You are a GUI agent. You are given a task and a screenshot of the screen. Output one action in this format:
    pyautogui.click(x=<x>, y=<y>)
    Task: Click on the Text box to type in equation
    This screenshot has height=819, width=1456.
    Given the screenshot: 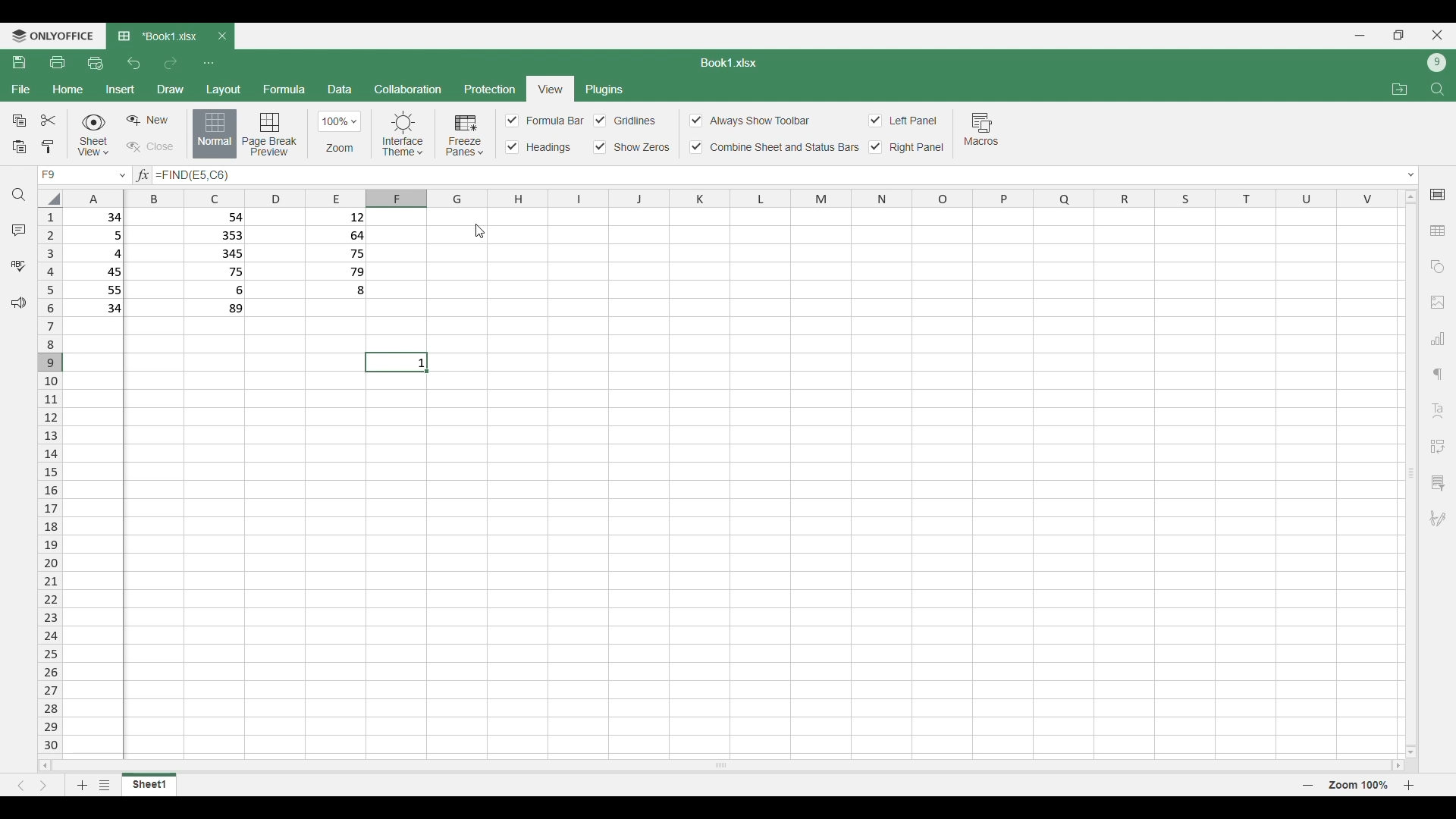 What is the action you would take?
    pyautogui.click(x=777, y=176)
    